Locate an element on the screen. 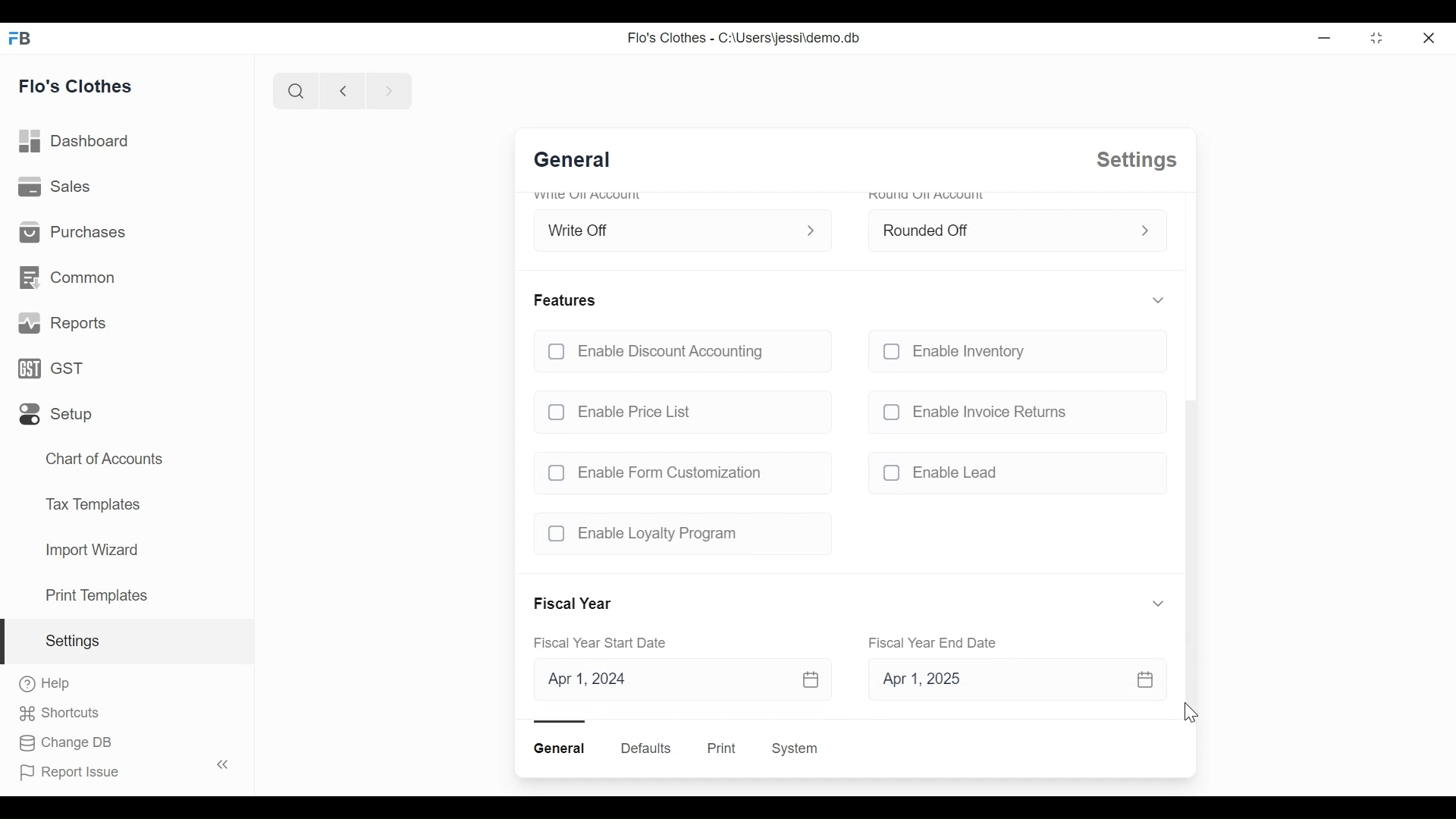  Dashboard is located at coordinates (74, 142).